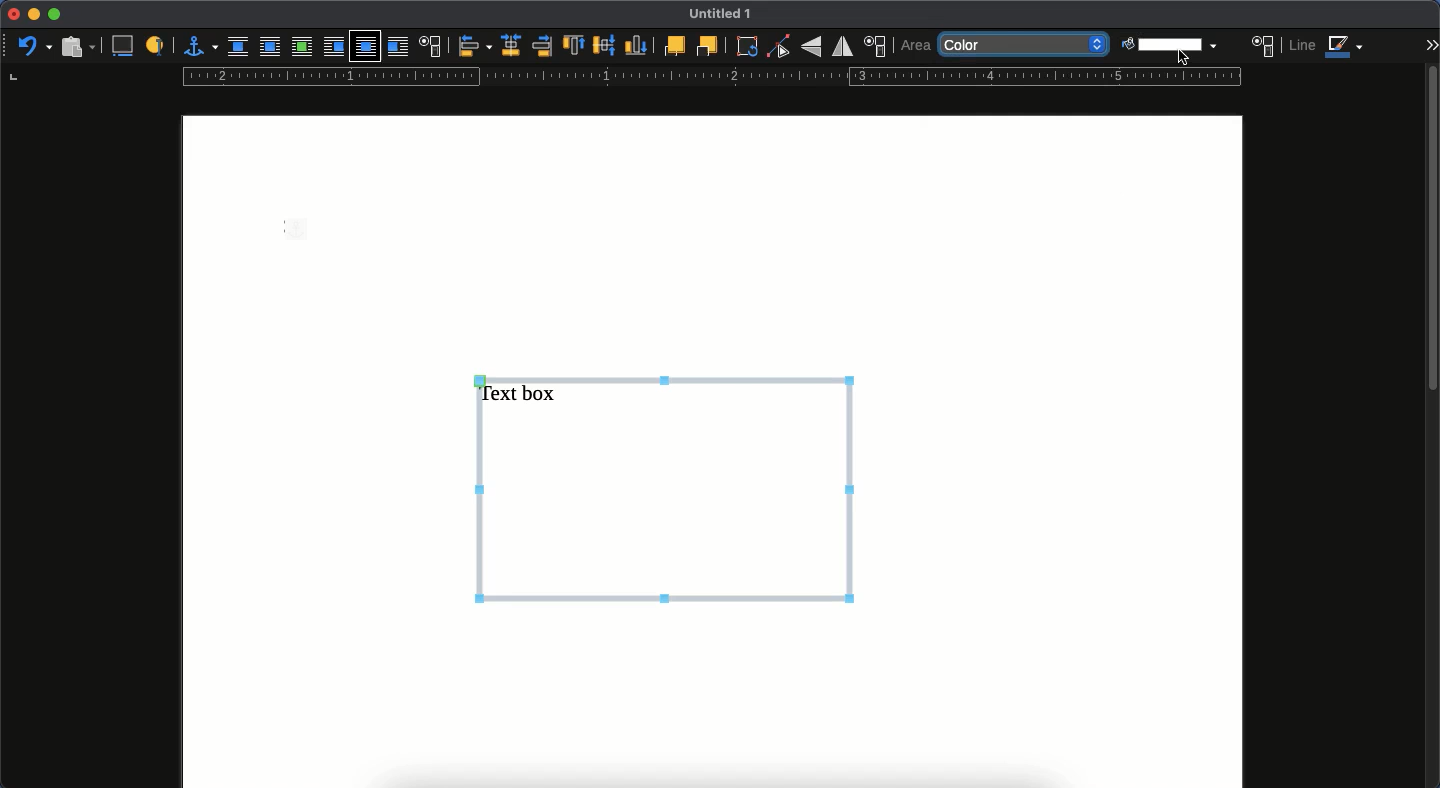 This screenshot has height=788, width=1440. I want to click on insert caption, so click(126, 45).